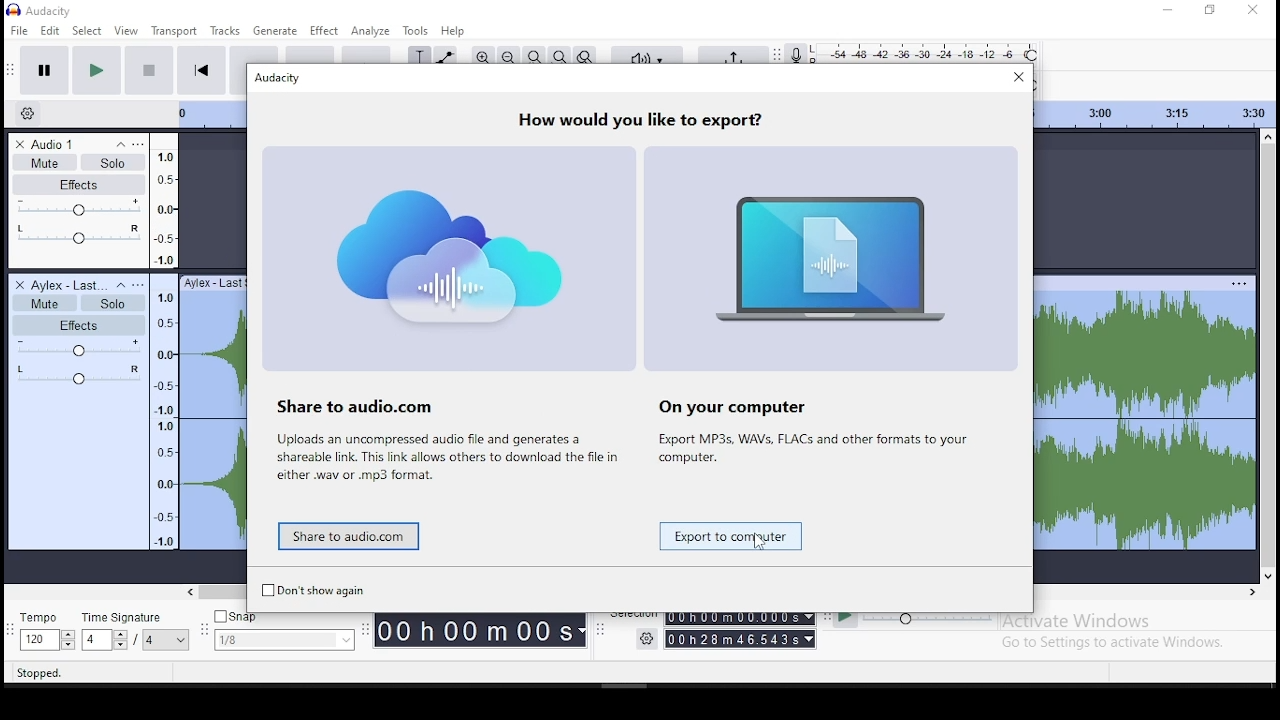 The image size is (1280, 720). Describe the element at coordinates (419, 55) in the screenshot. I see `selection tool` at that location.